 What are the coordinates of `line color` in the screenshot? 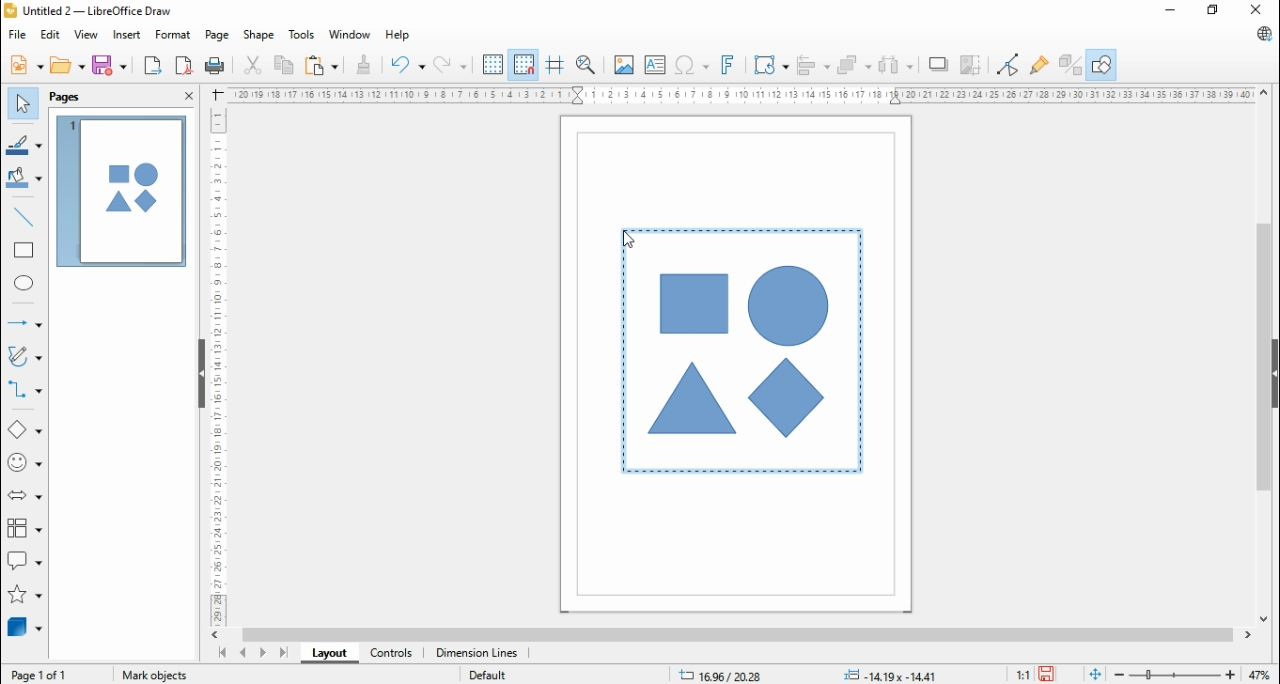 It's located at (24, 143).